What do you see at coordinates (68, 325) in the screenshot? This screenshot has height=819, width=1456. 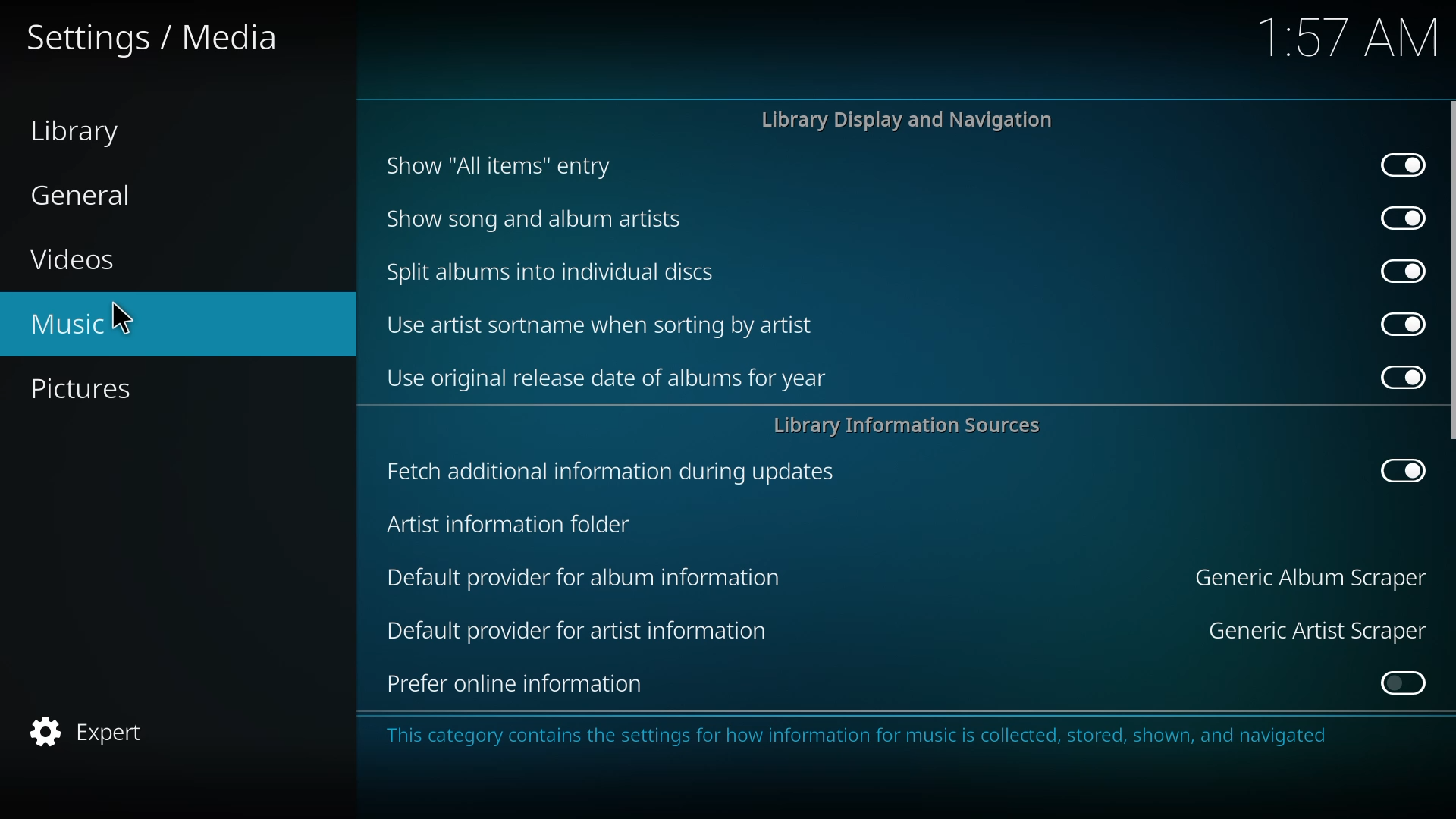 I see `music` at bounding box center [68, 325].